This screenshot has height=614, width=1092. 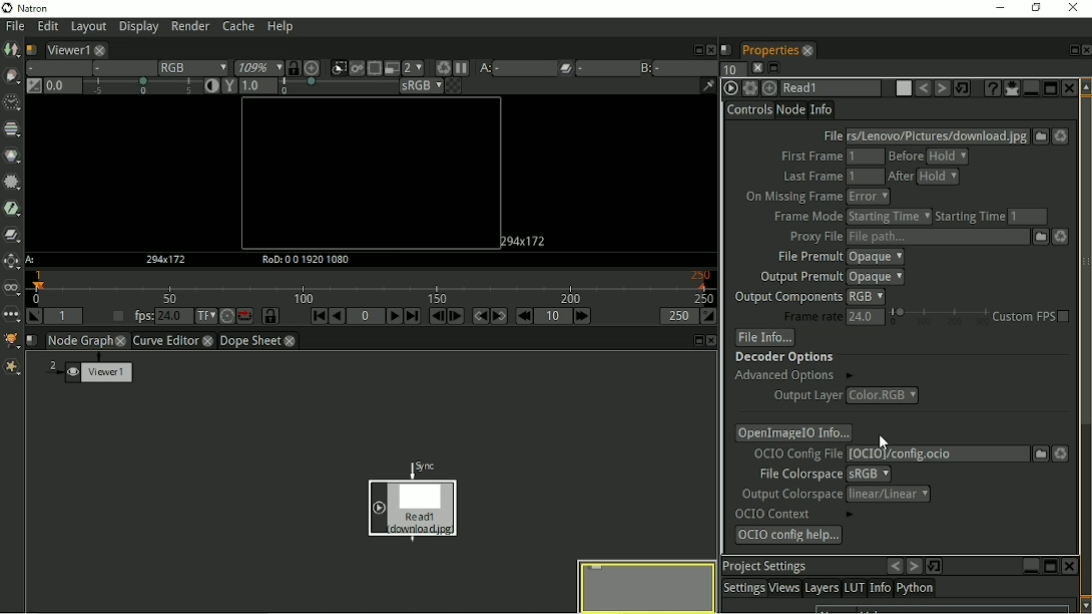 What do you see at coordinates (35, 317) in the screenshot?
I see `Set playback in point` at bounding box center [35, 317].